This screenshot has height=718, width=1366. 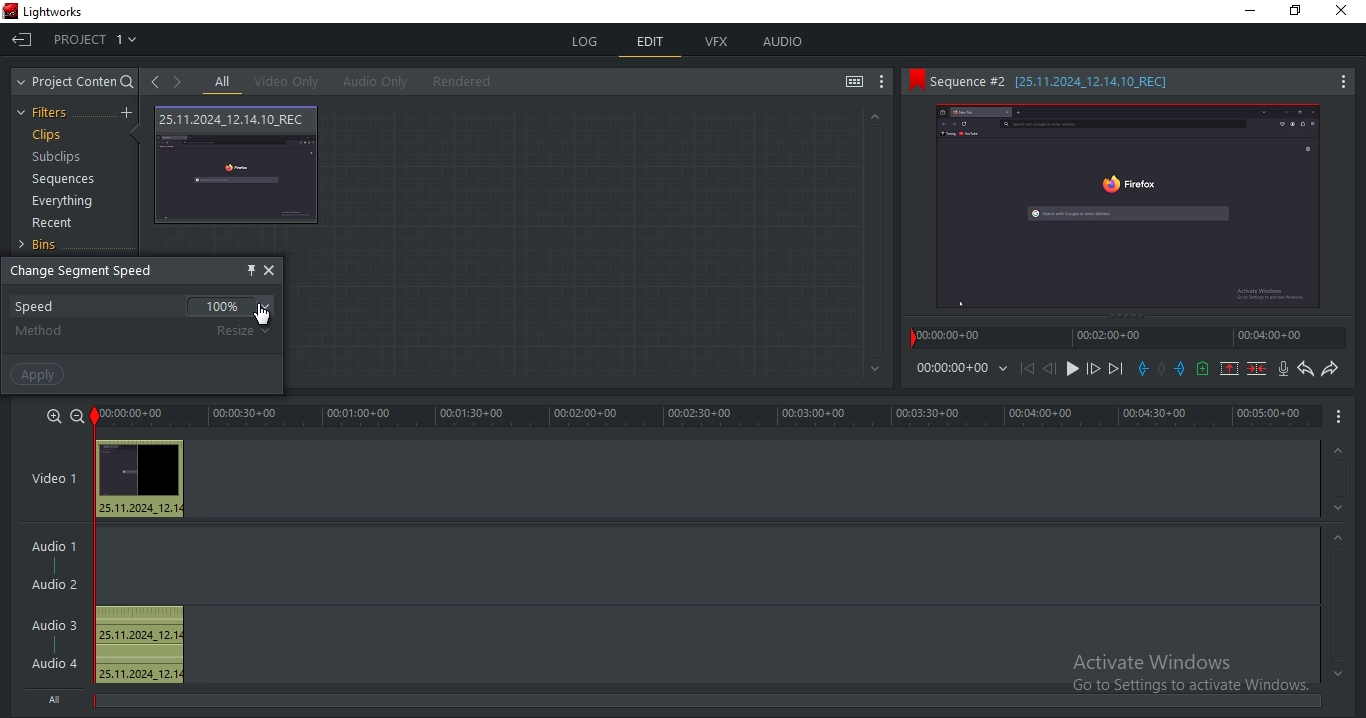 What do you see at coordinates (377, 81) in the screenshot?
I see `audio only` at bounding box center [377, 81].